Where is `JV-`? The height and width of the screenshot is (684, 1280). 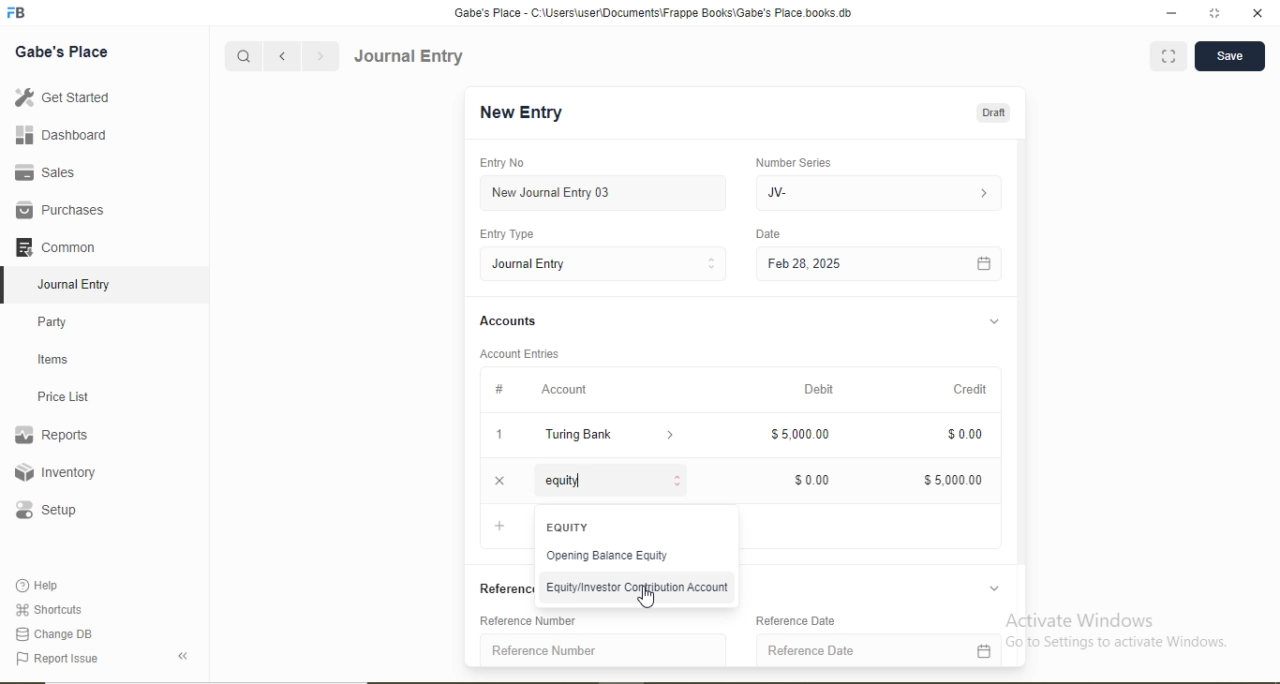 JV- is located at coordinates (777, 193).